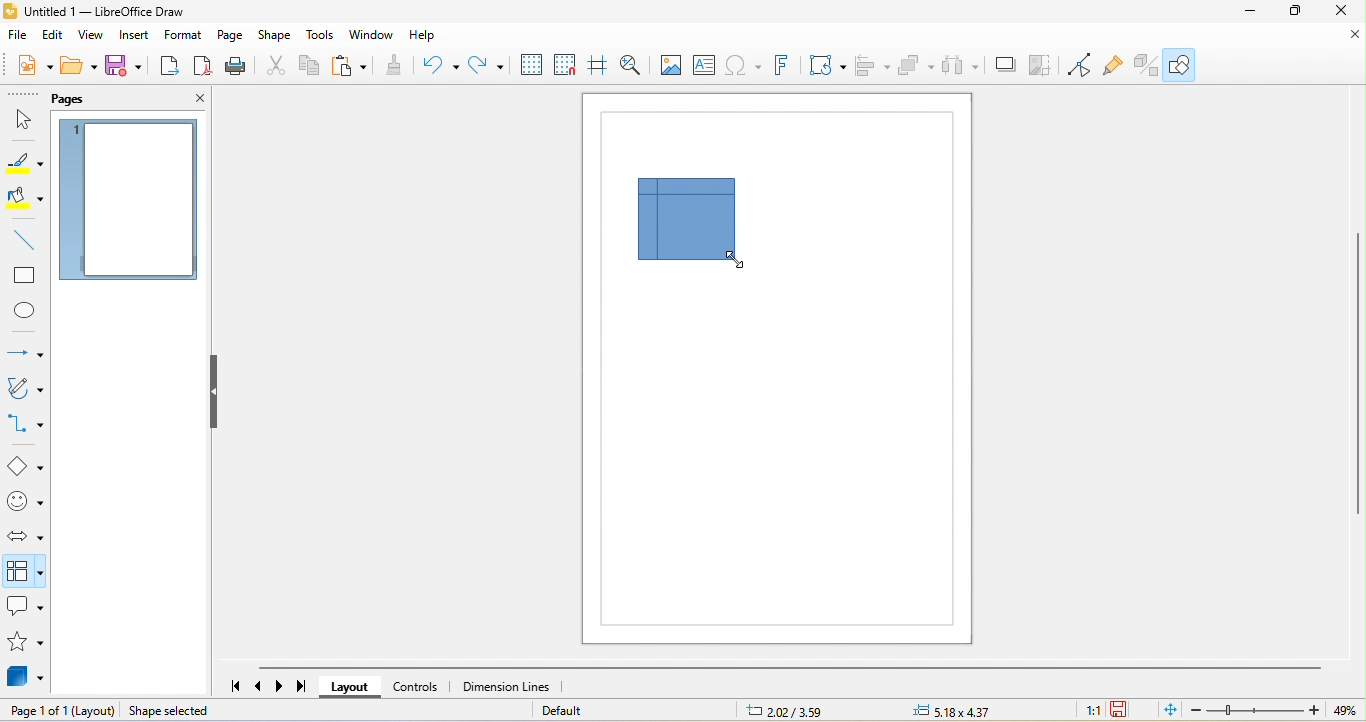 This screenshot has height=722, width=1366. What do you see at coordinates (1257, 710) in the screenshot?
I see `zoom` at bounding box center [1257, 710].